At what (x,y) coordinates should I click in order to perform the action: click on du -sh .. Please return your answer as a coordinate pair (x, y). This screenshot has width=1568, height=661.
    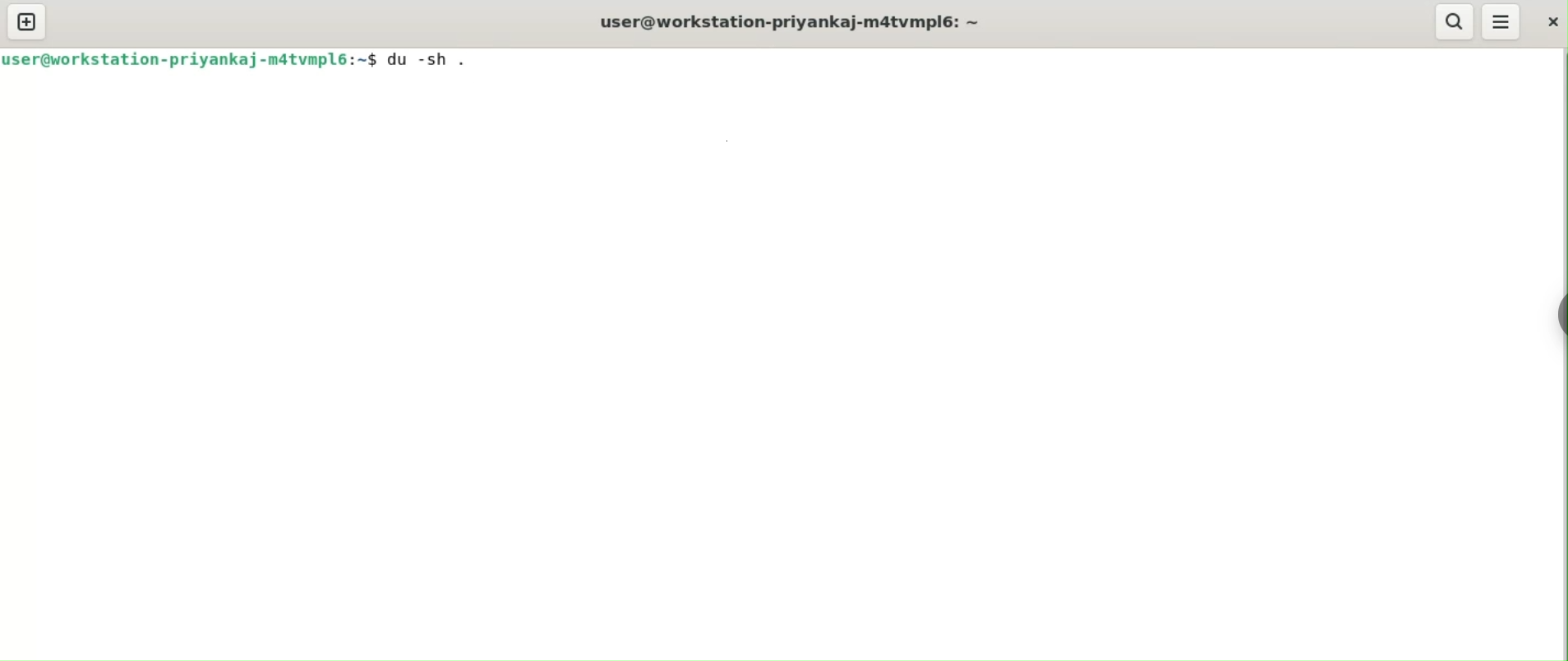
    Looking at the image, I should click on (429, 61).